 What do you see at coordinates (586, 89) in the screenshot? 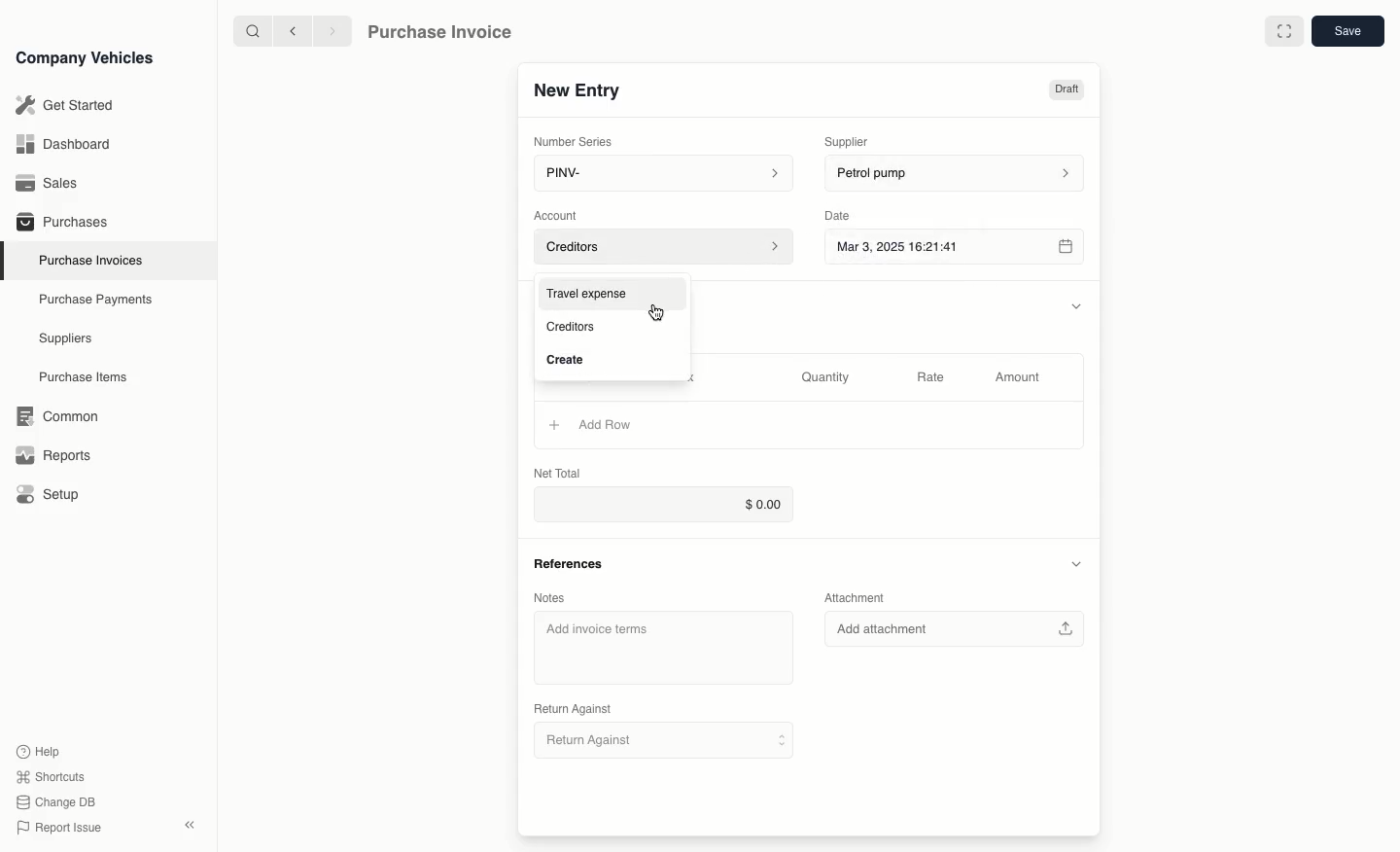
I see `New Entry` at bounding box center [586, 89].